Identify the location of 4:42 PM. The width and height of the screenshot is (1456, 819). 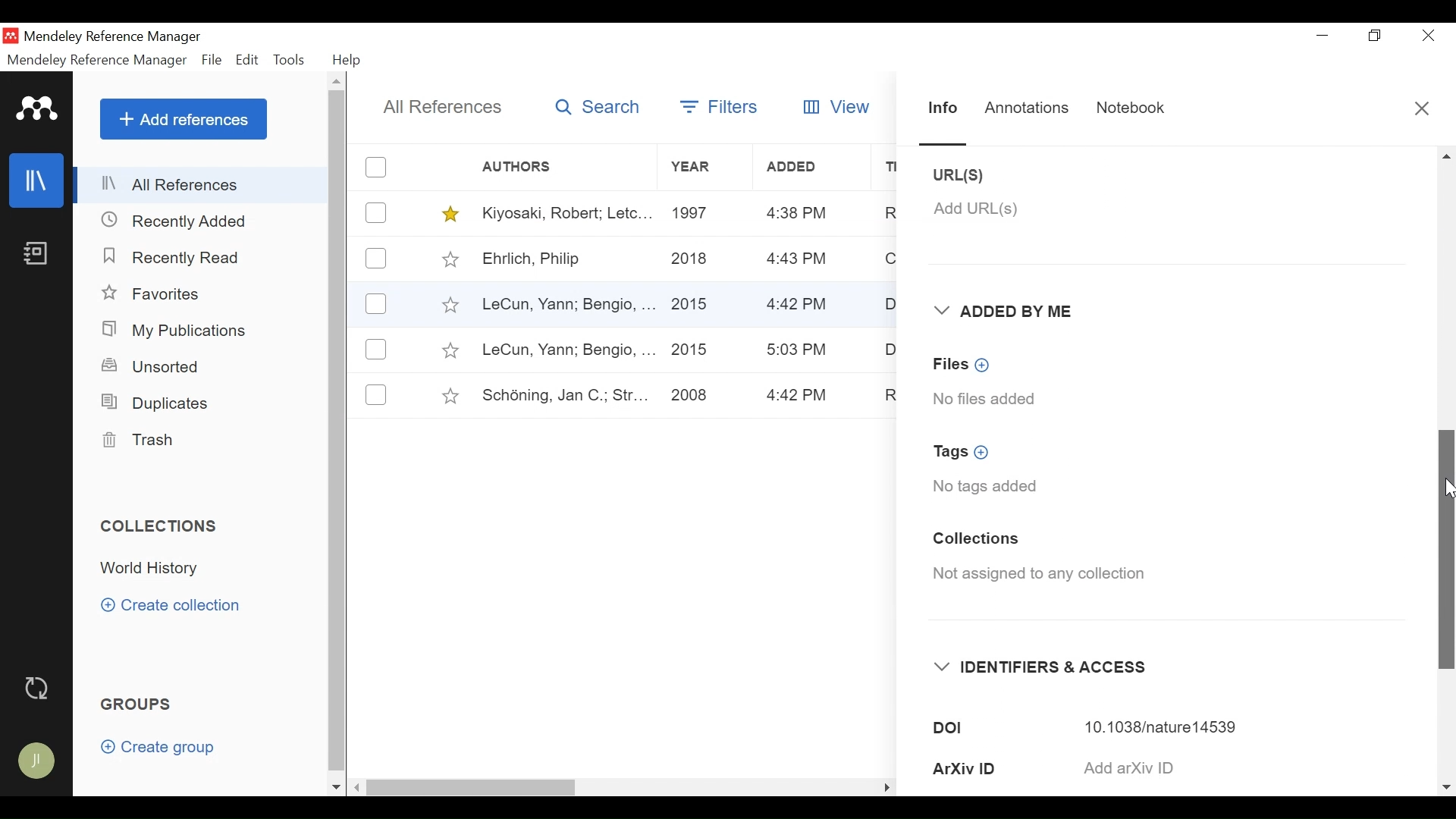
(799, 396).